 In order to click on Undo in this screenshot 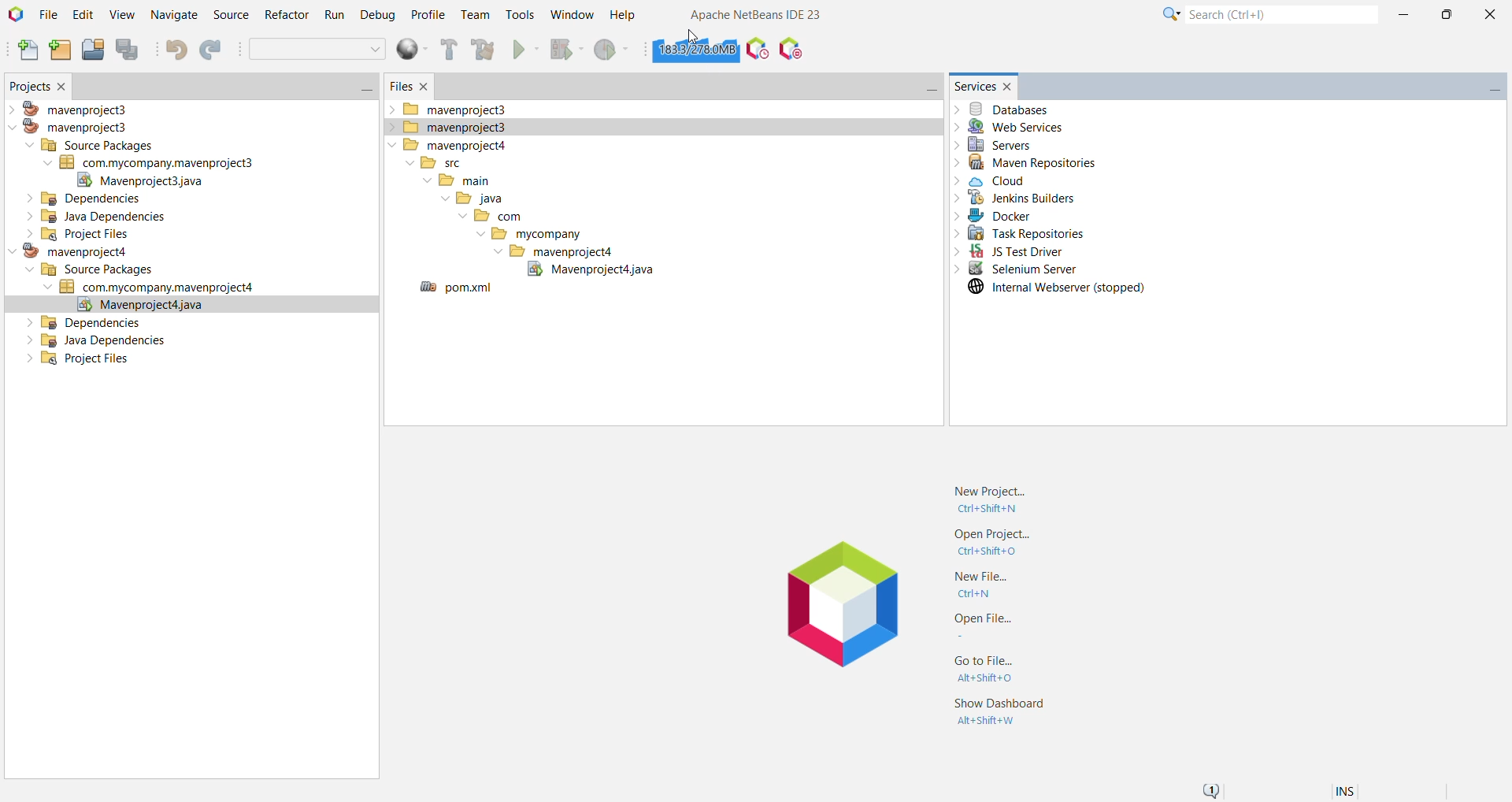, I will do `click(176, 48)`.